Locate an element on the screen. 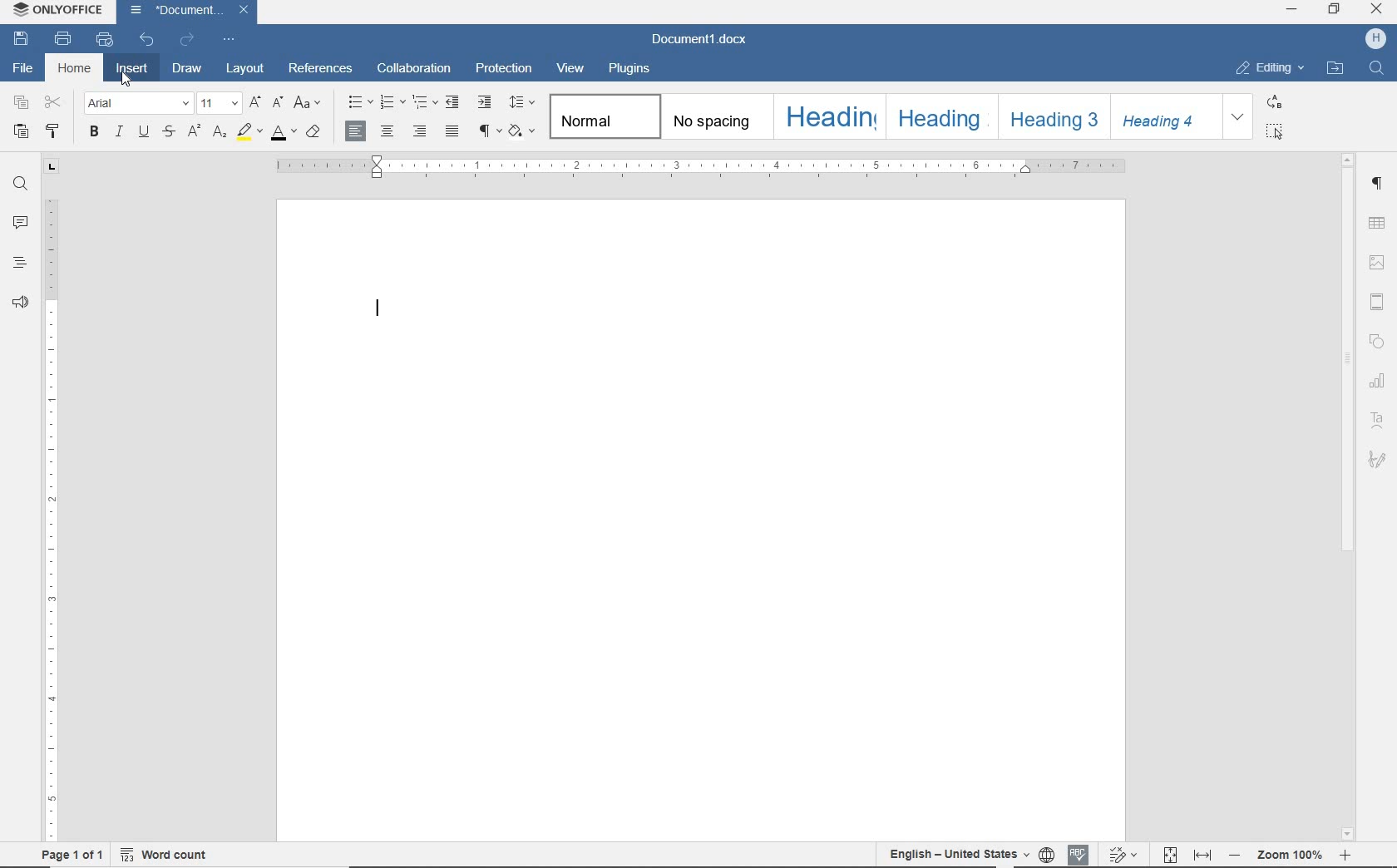 This screenshot has width=1397, height=868. comments is located at coordinates (20, 224).